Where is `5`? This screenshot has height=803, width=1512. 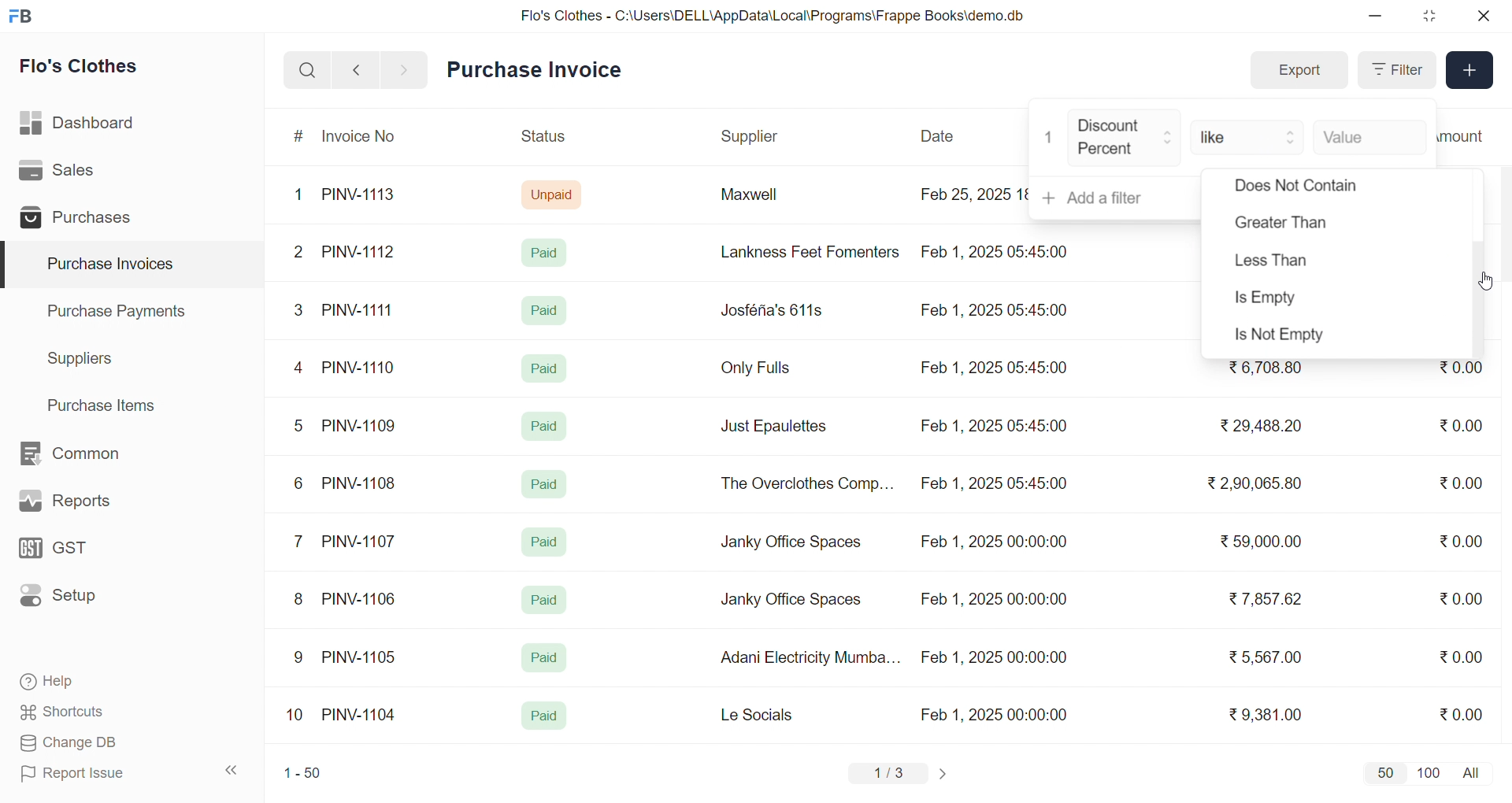
5 is located at coordinates (298, 425).